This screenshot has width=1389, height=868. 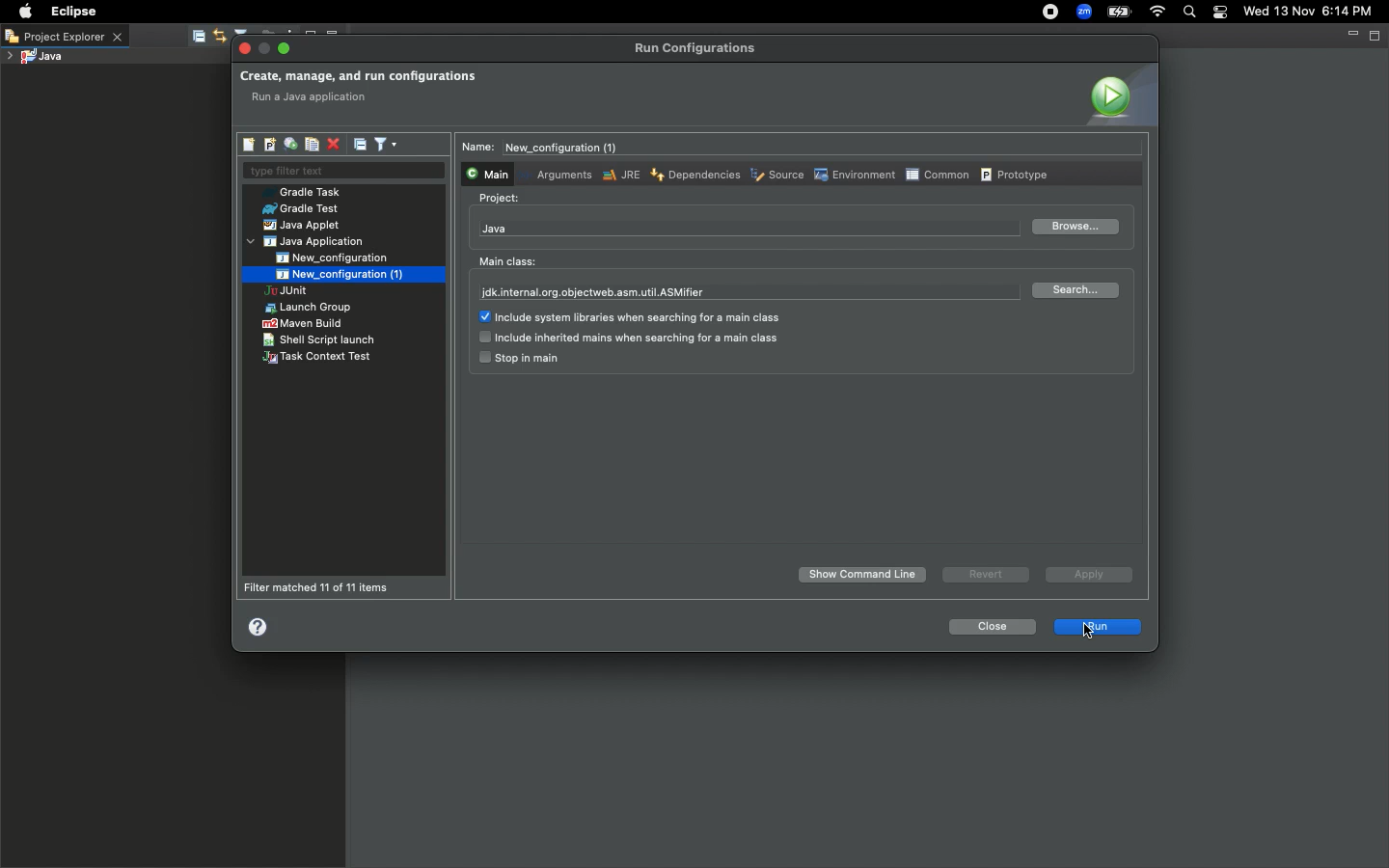 I want to click on jdk.internal.org.objectweb.asm.util.ASMifier, so click(x=595, y=293).